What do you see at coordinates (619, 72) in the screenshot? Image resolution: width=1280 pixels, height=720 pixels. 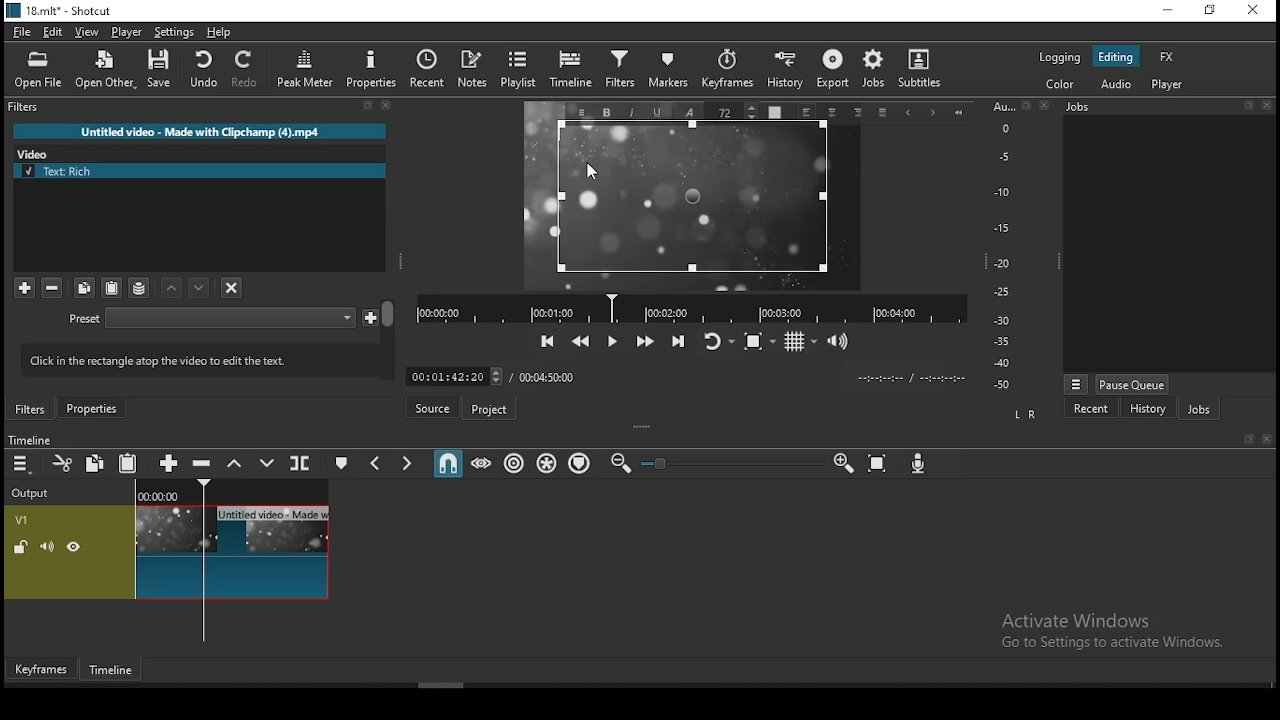 I see `filters` at bounding box center [619, 72].